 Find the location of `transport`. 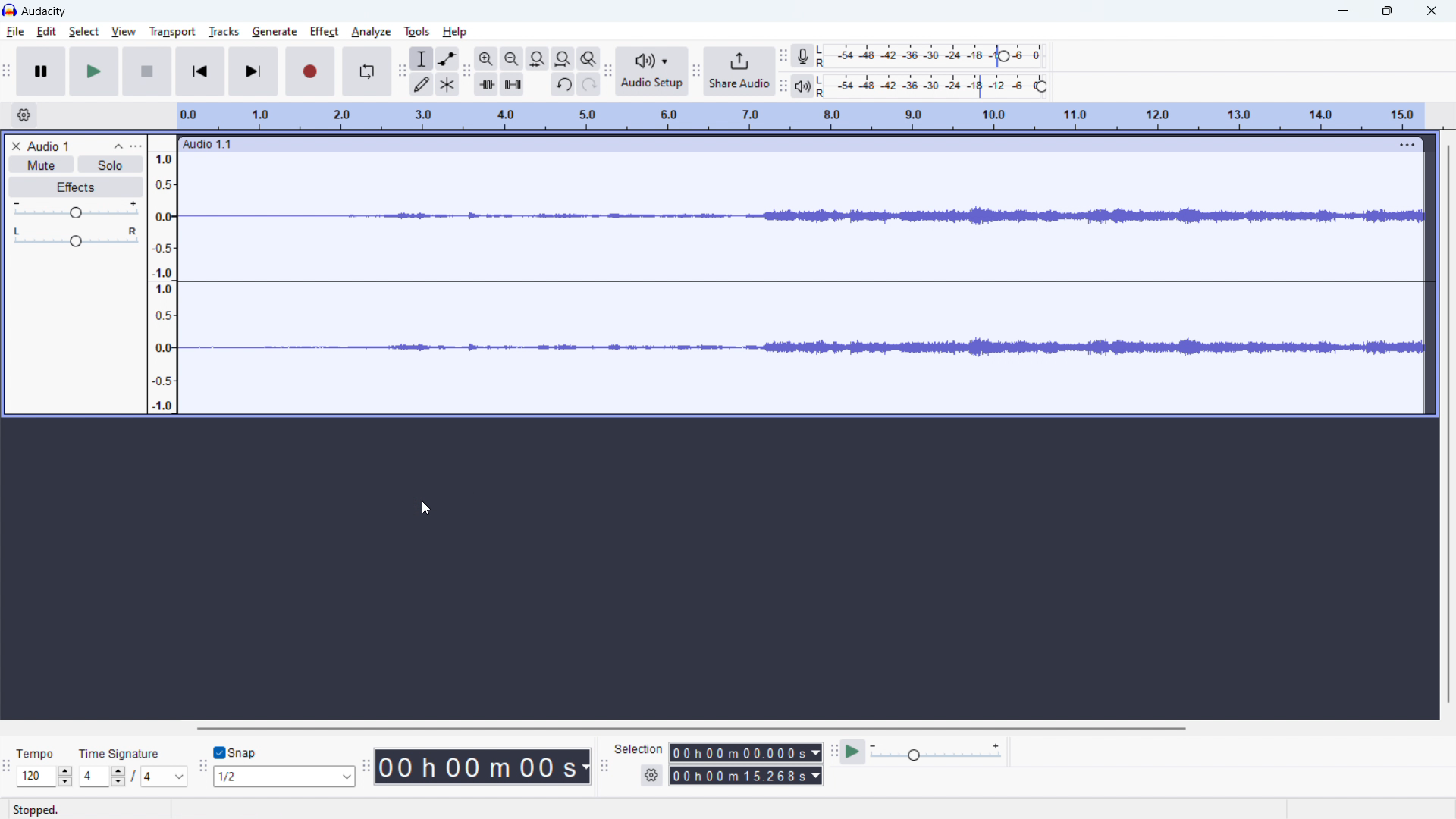

transport is located at coordinates (172, 31).